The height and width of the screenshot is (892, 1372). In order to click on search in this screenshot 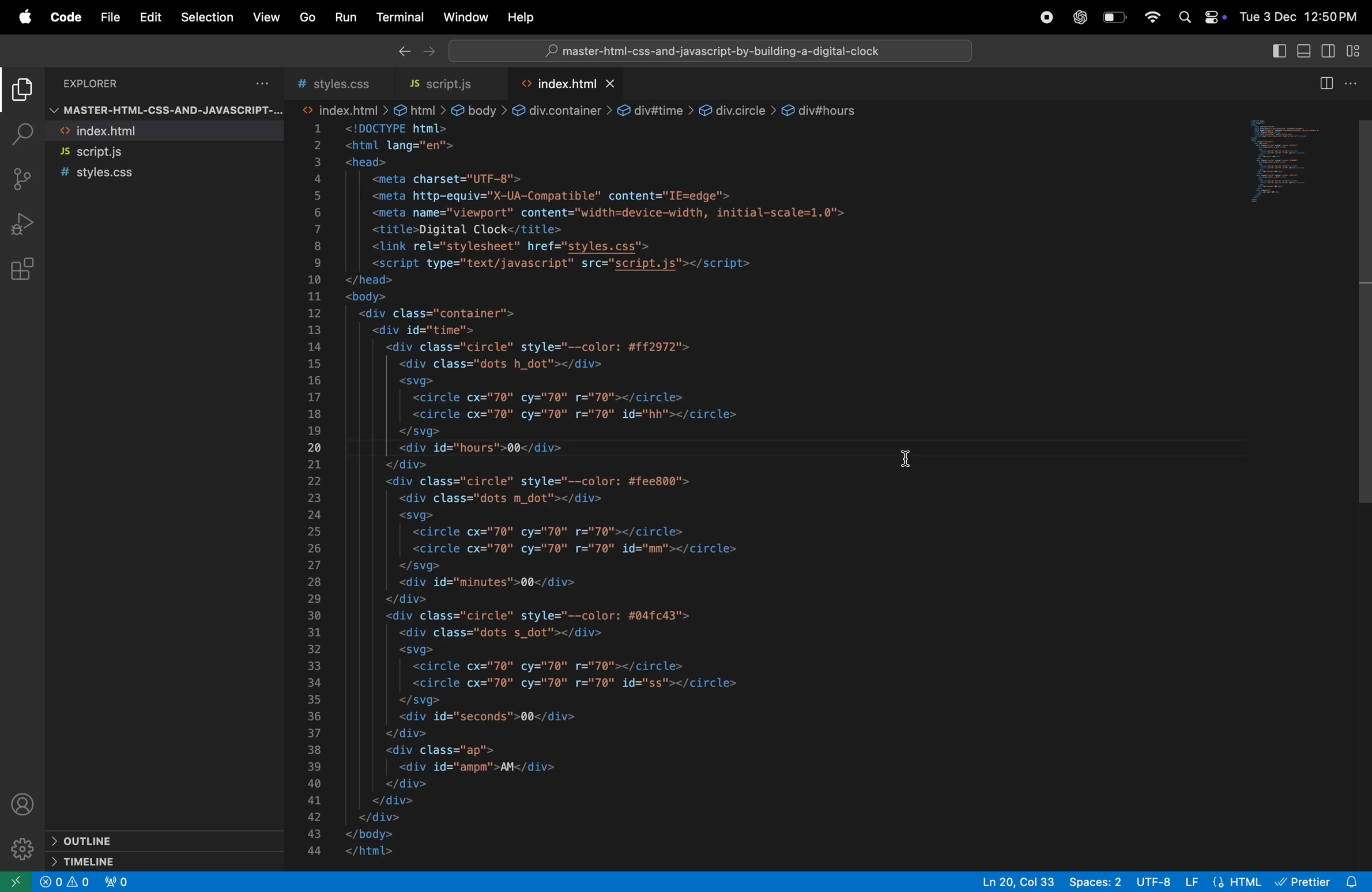, I will do `click(24, 131)`.